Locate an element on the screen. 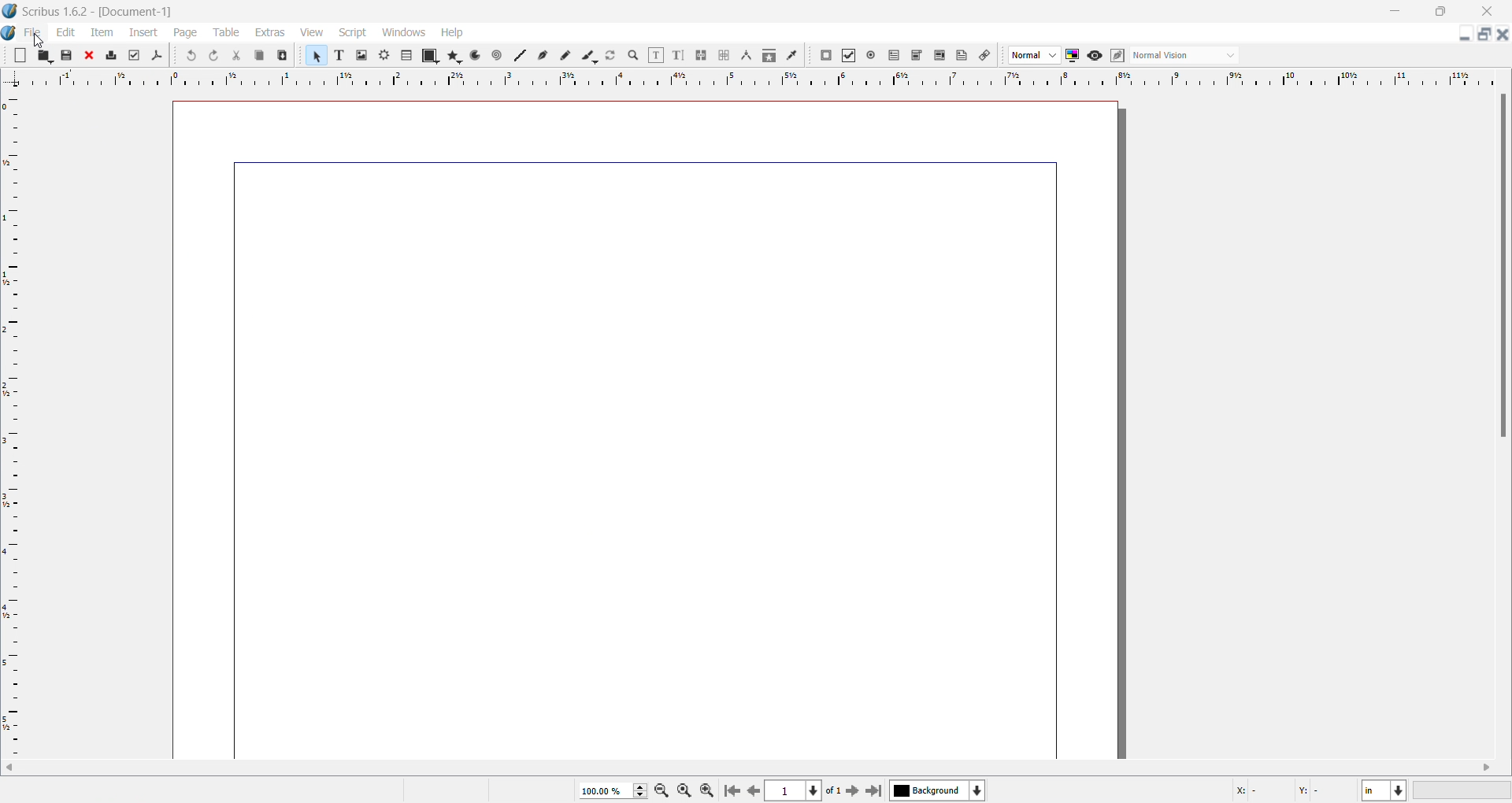 The height and width of the screenshot is (803, 1512). icon is located at coordinates (383, 54).